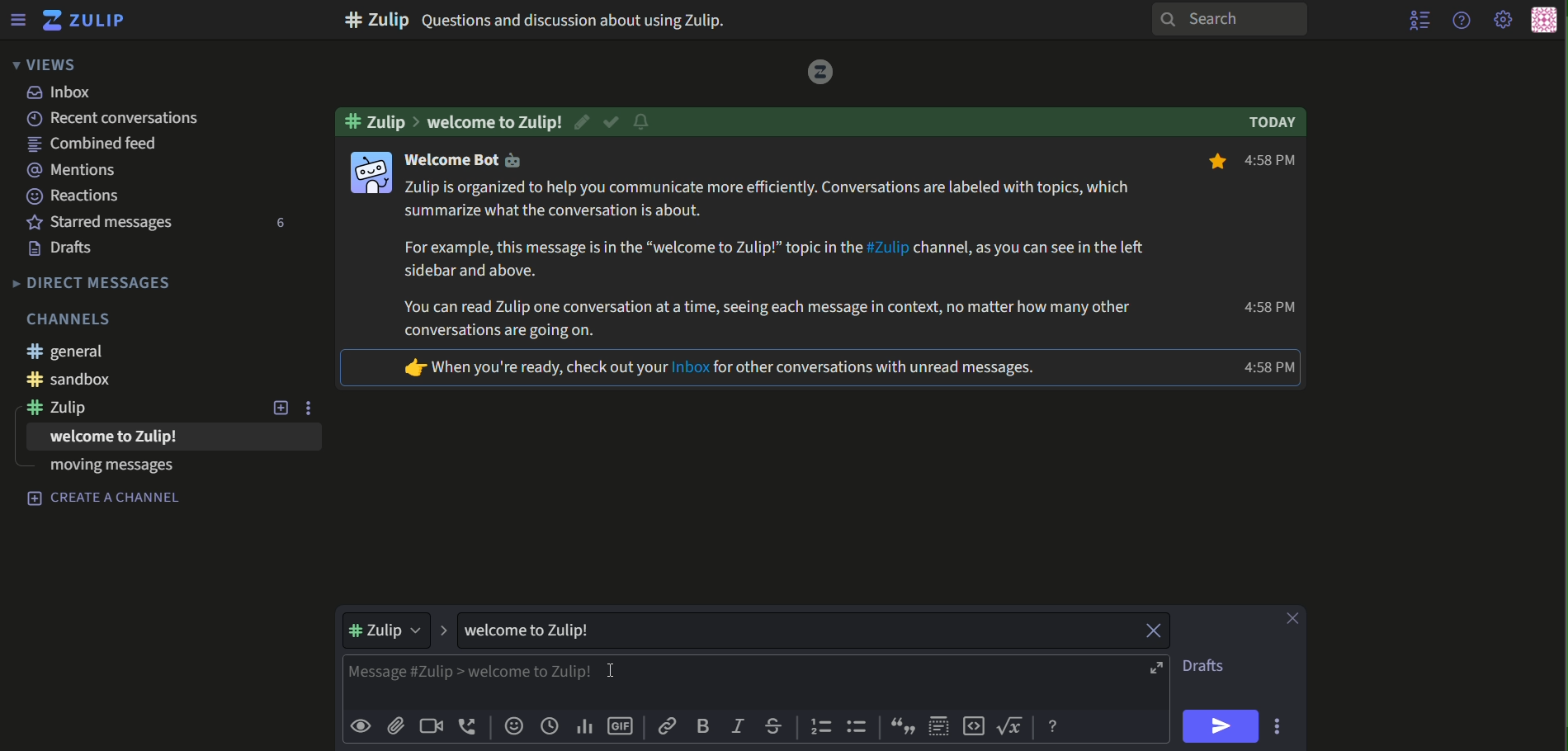 The image size is (1568, 751). I want to click on text, so click(576, 120).